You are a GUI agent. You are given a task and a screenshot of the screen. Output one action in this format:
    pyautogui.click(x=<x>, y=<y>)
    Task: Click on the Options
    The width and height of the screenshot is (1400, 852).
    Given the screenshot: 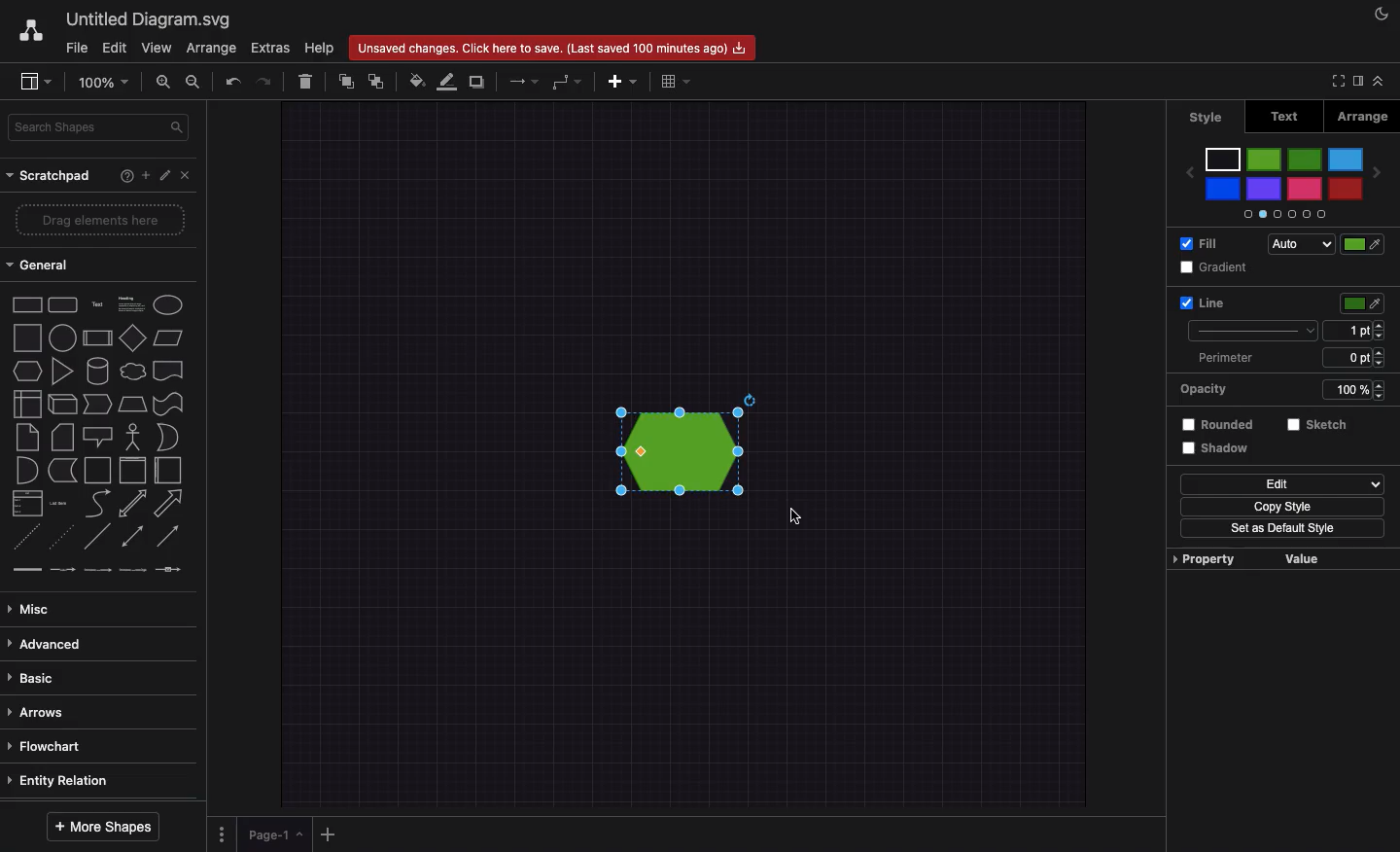 What is the action you would take?
    pyautogui.click(x=223, y=833)
    